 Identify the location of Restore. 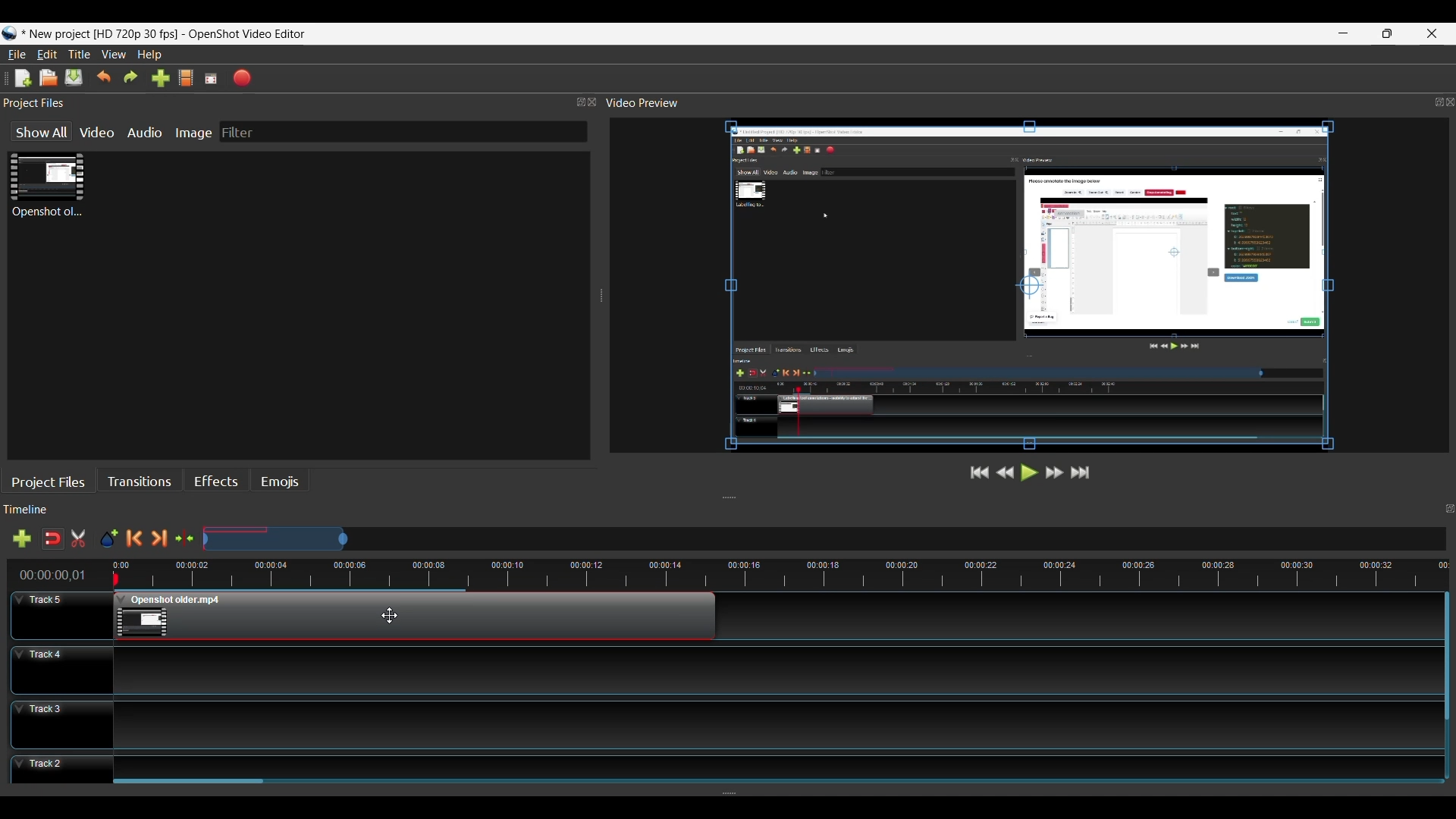
(1389, 33).